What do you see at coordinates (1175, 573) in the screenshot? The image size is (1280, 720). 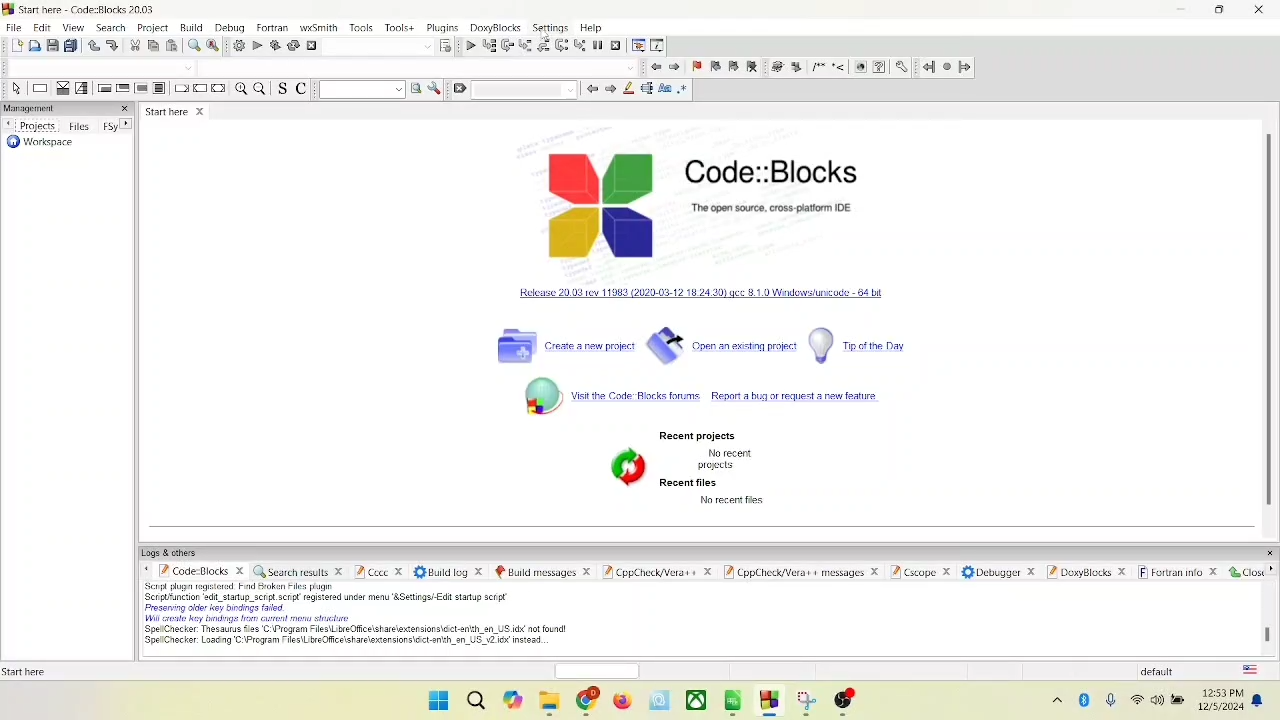 I see `fortan info` at bounding box center [1175, 573].